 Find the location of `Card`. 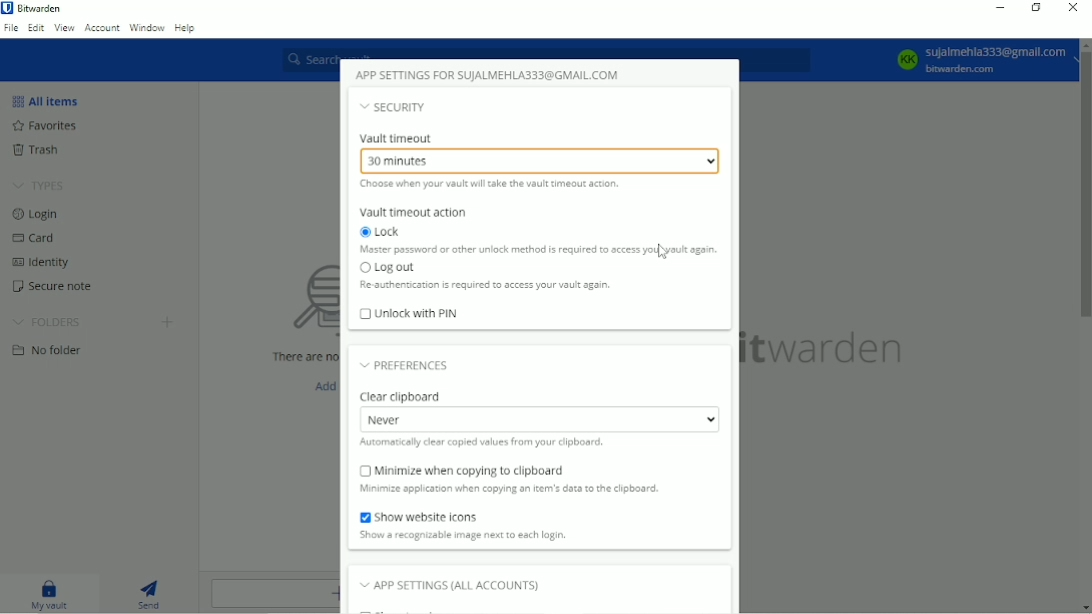

Card is located at coordinates (38, 238).